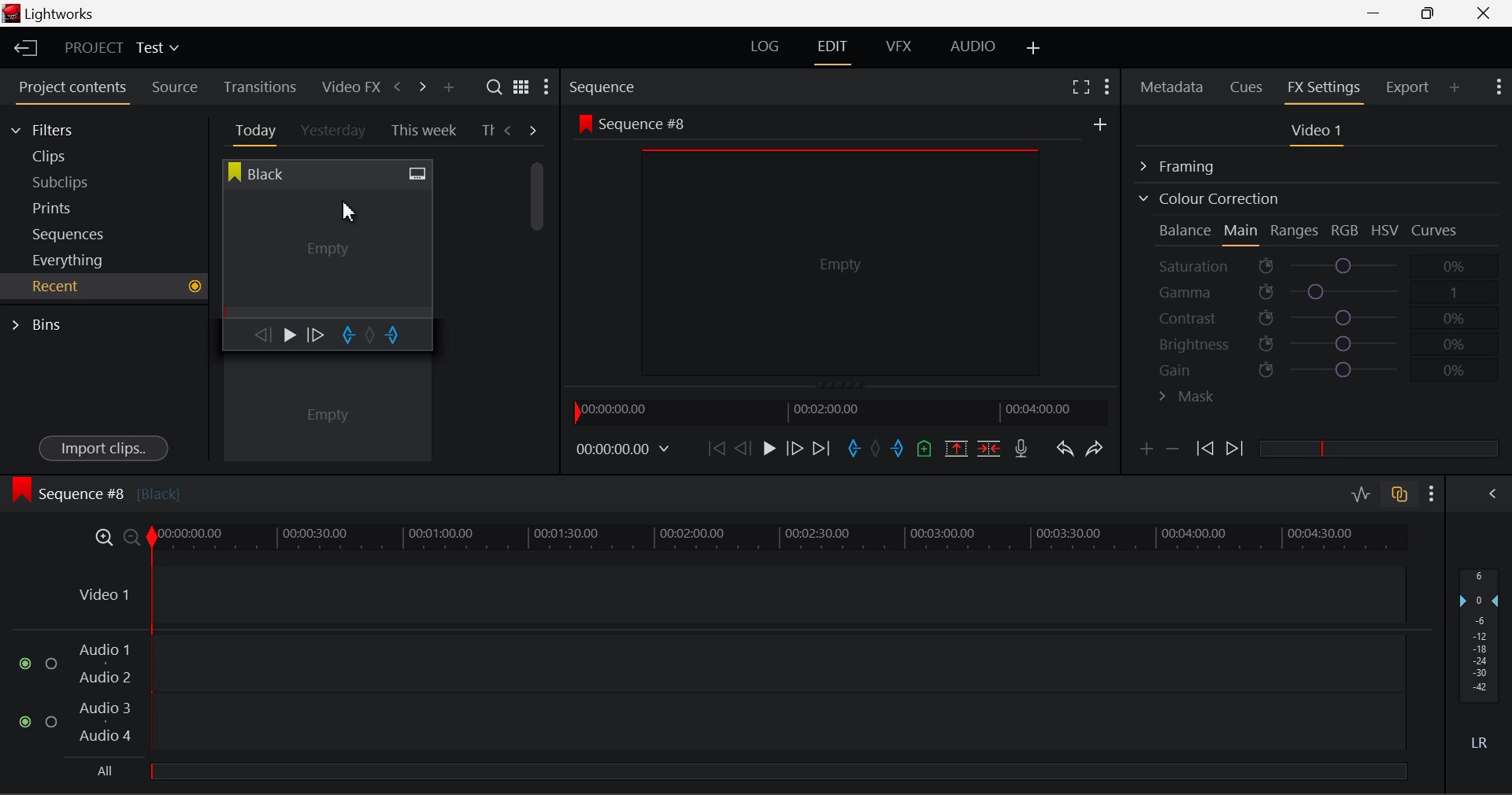  What do you see at coordinates (877, 450) in the screenshot?
I see `Remove All Marks` at bounding box center [877, 450].